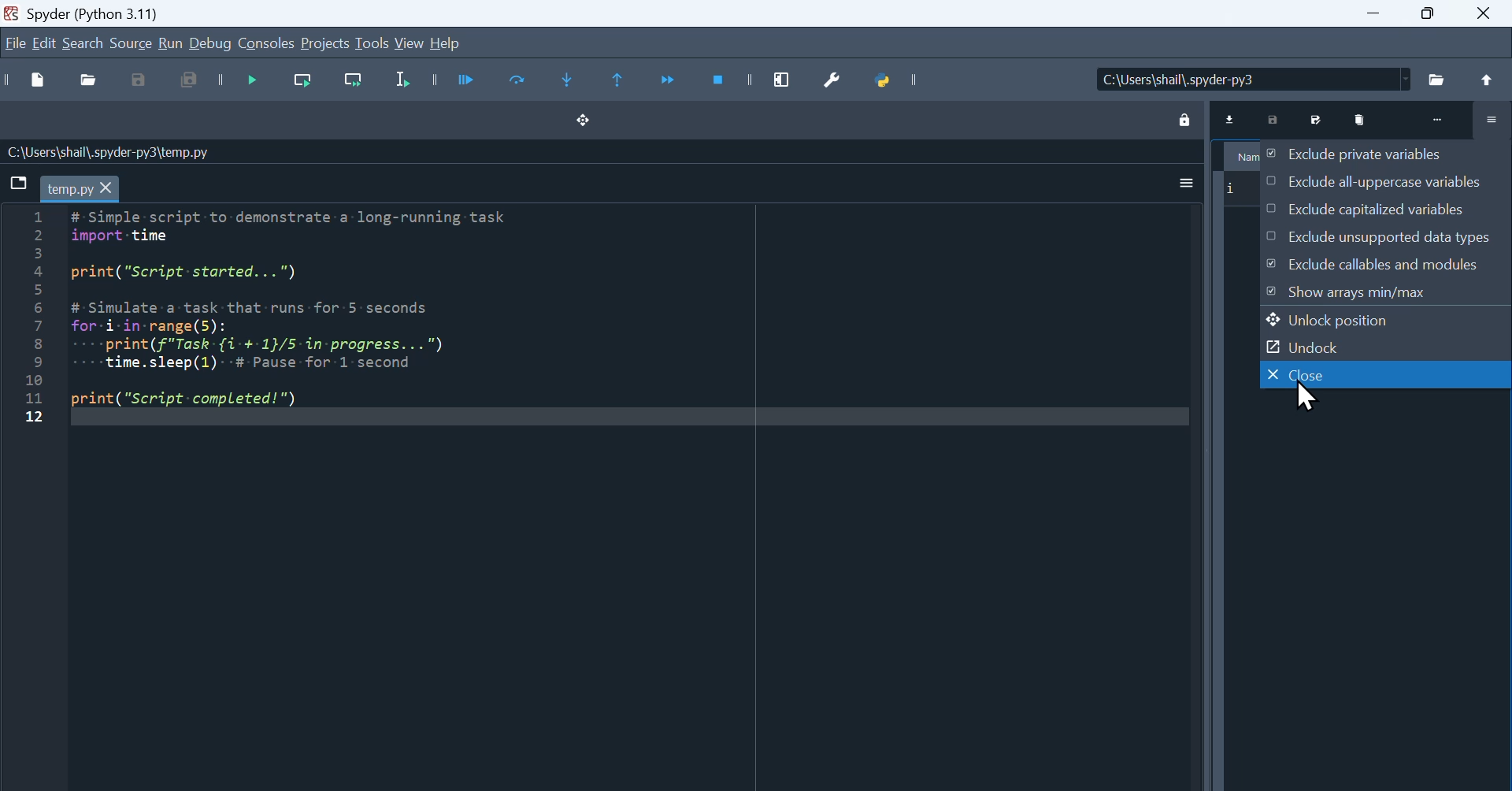 This screenshot has width=1512, height=791. What do you see at coordinates (1385, 263) in the screenshot?
I see `Exclude collable and modules` at bounding box center [1385, 263].